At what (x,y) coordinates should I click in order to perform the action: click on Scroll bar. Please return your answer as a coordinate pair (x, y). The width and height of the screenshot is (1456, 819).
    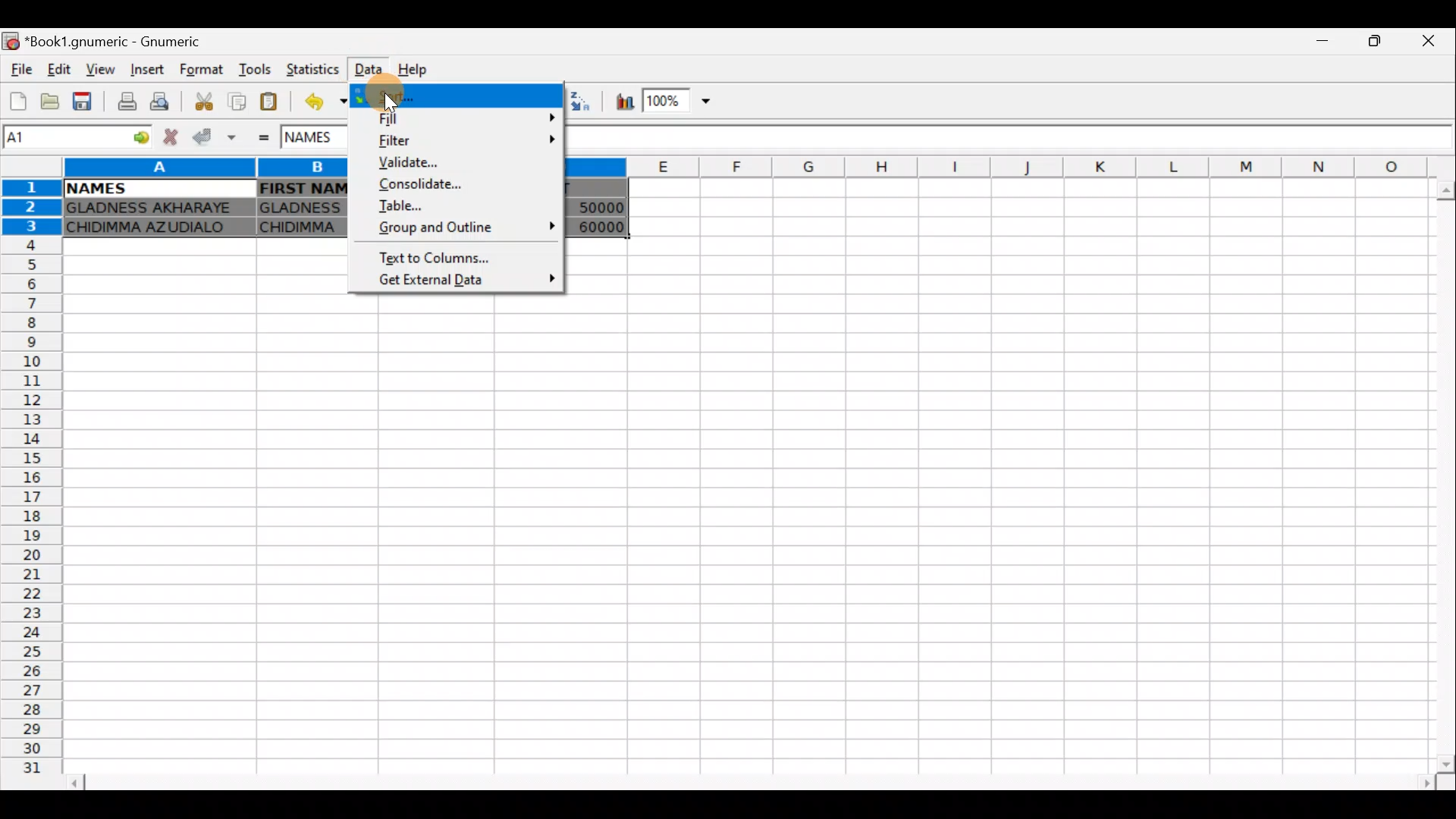
    Looking at the image, I should click on (1437, 475).